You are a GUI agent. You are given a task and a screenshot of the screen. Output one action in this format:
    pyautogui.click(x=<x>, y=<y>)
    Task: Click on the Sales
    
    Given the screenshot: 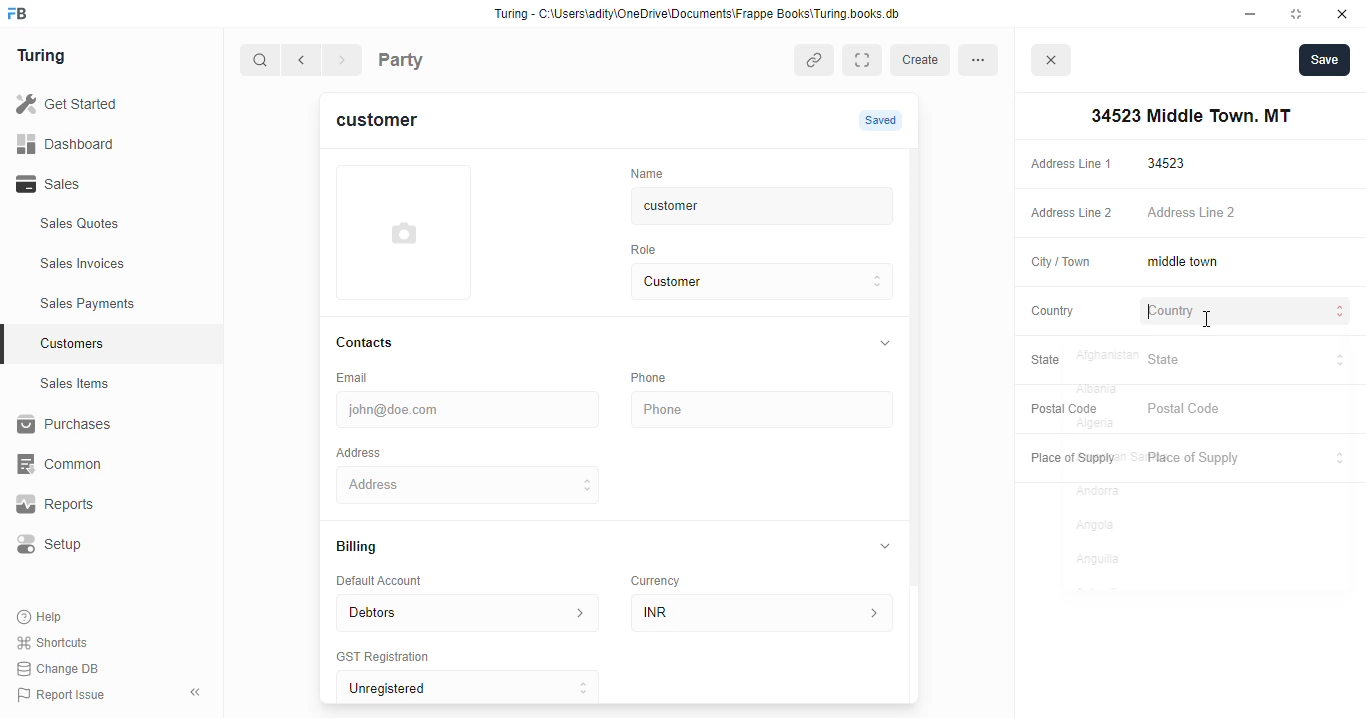 What is the action you would take?
    pyautogui.click(x=98, y=184)
    